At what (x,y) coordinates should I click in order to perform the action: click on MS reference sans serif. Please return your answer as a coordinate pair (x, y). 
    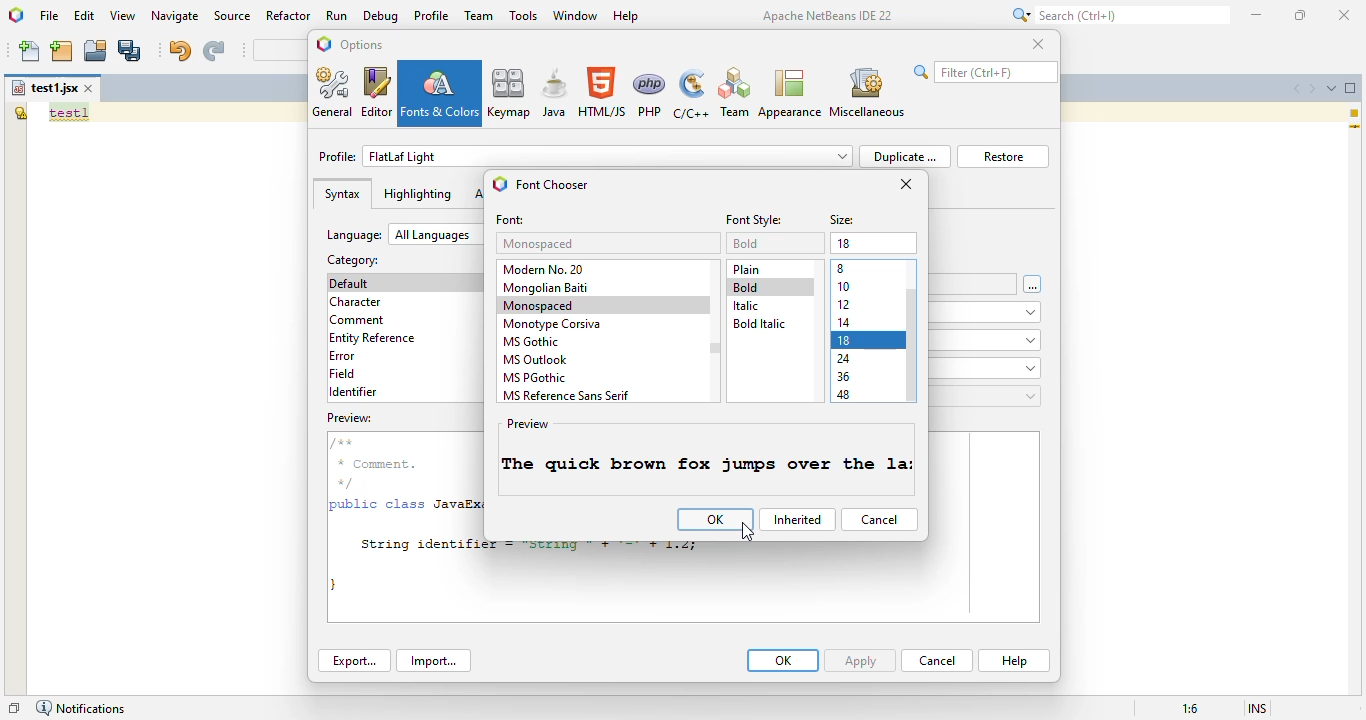
    Looking at the image, I should click on (567, 395).